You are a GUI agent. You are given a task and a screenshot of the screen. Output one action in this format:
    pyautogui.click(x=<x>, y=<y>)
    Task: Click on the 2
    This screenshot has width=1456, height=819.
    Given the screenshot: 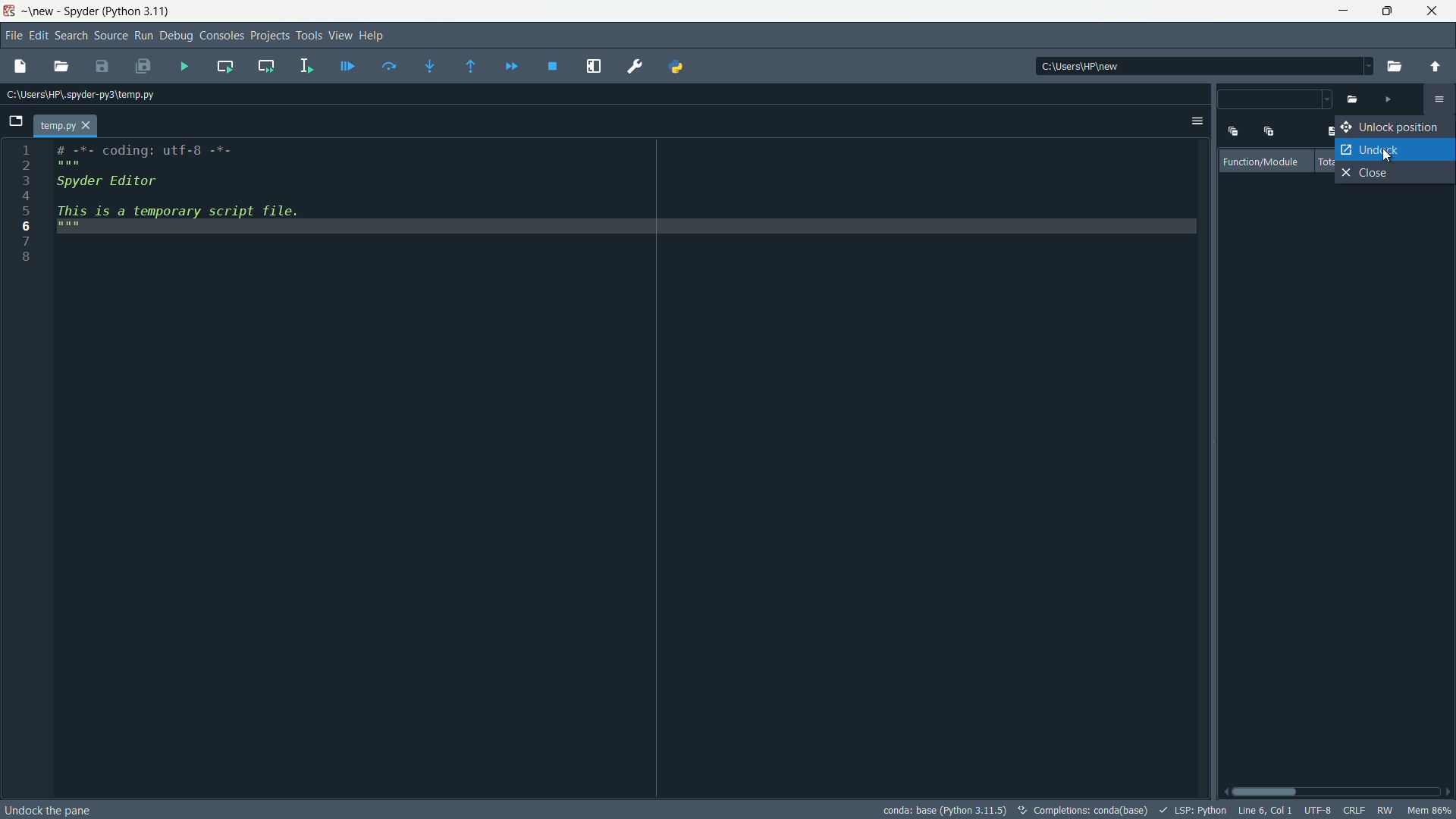 What is the action you would take?
    pyautogui.click(x=27, y=165)
    